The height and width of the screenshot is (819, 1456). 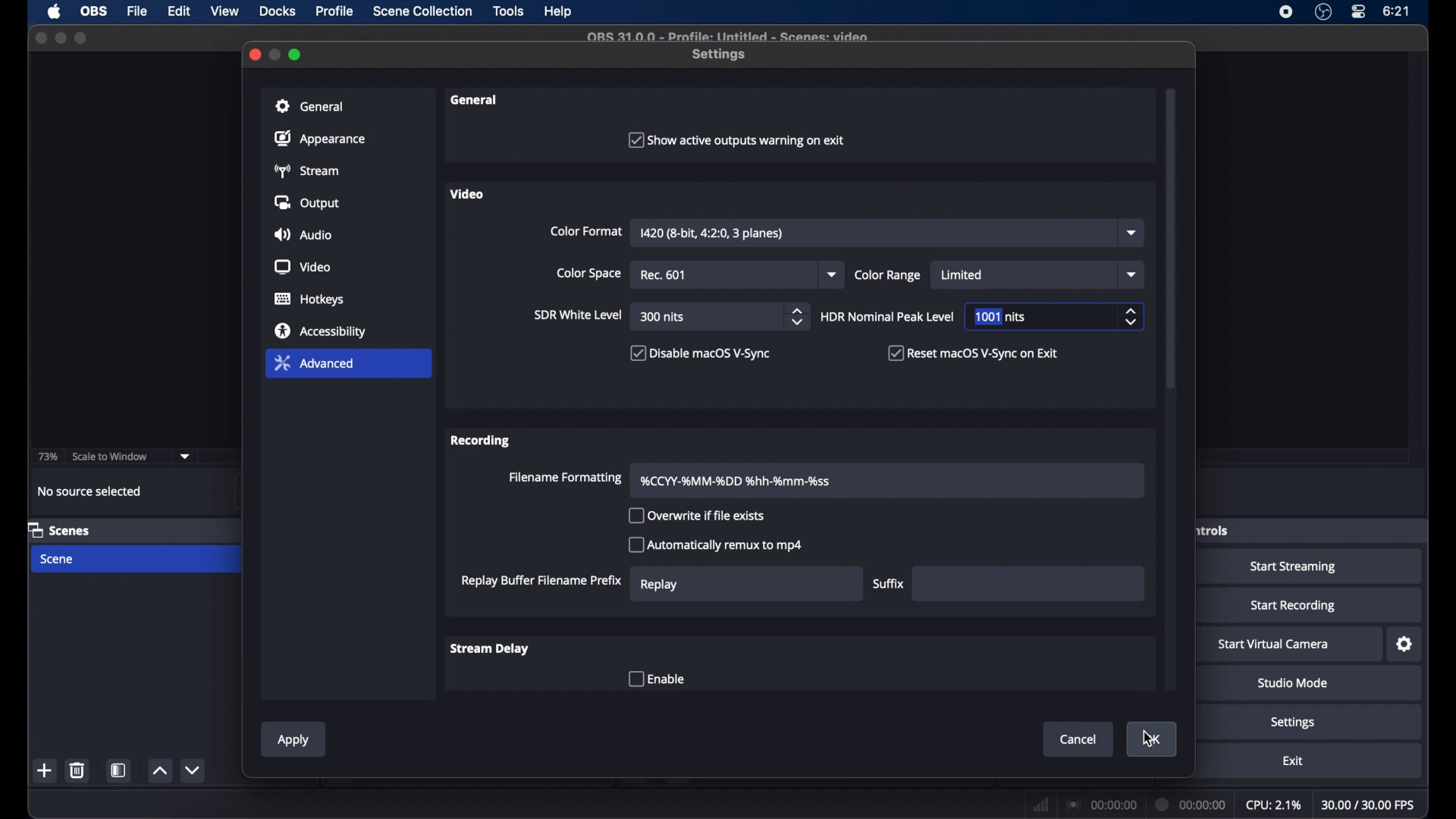 I want to click on [V] Reset macOS V-Sync on Exit, so click(x=982, y=353).